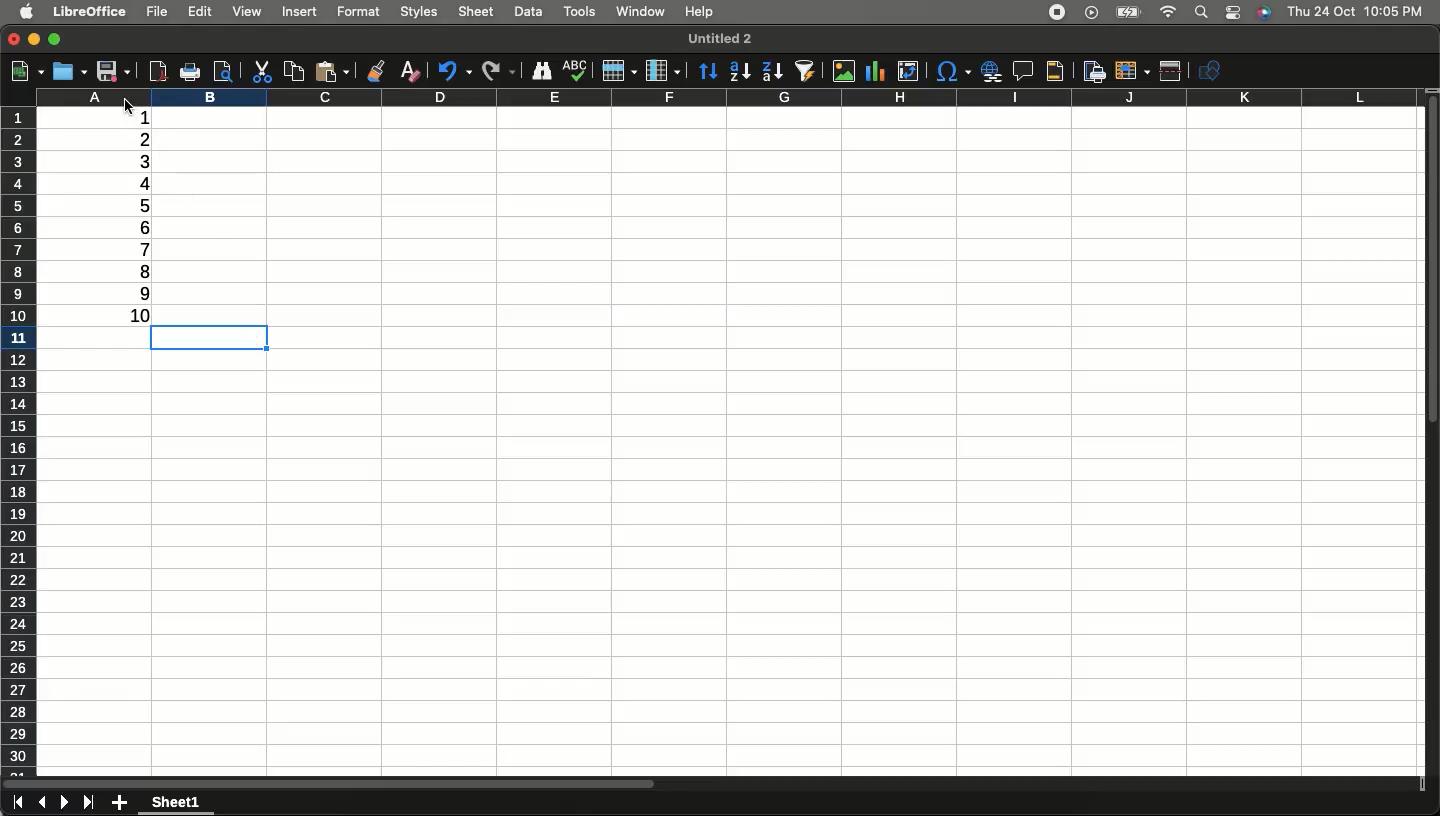 The image size is (1440, 816). I want to click on Open, so click(68, 72).